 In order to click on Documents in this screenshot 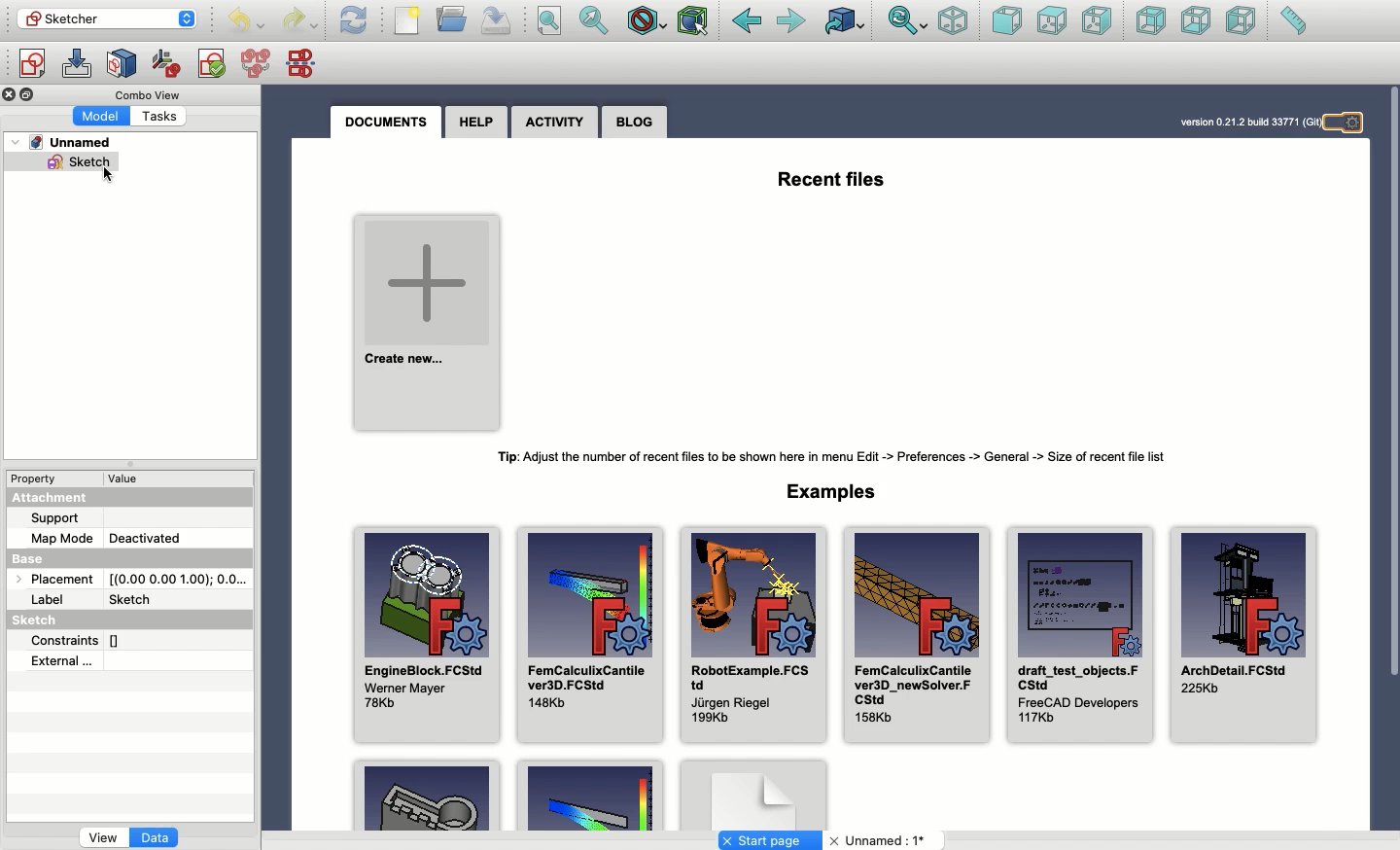, I will do `click(392, 123)`.